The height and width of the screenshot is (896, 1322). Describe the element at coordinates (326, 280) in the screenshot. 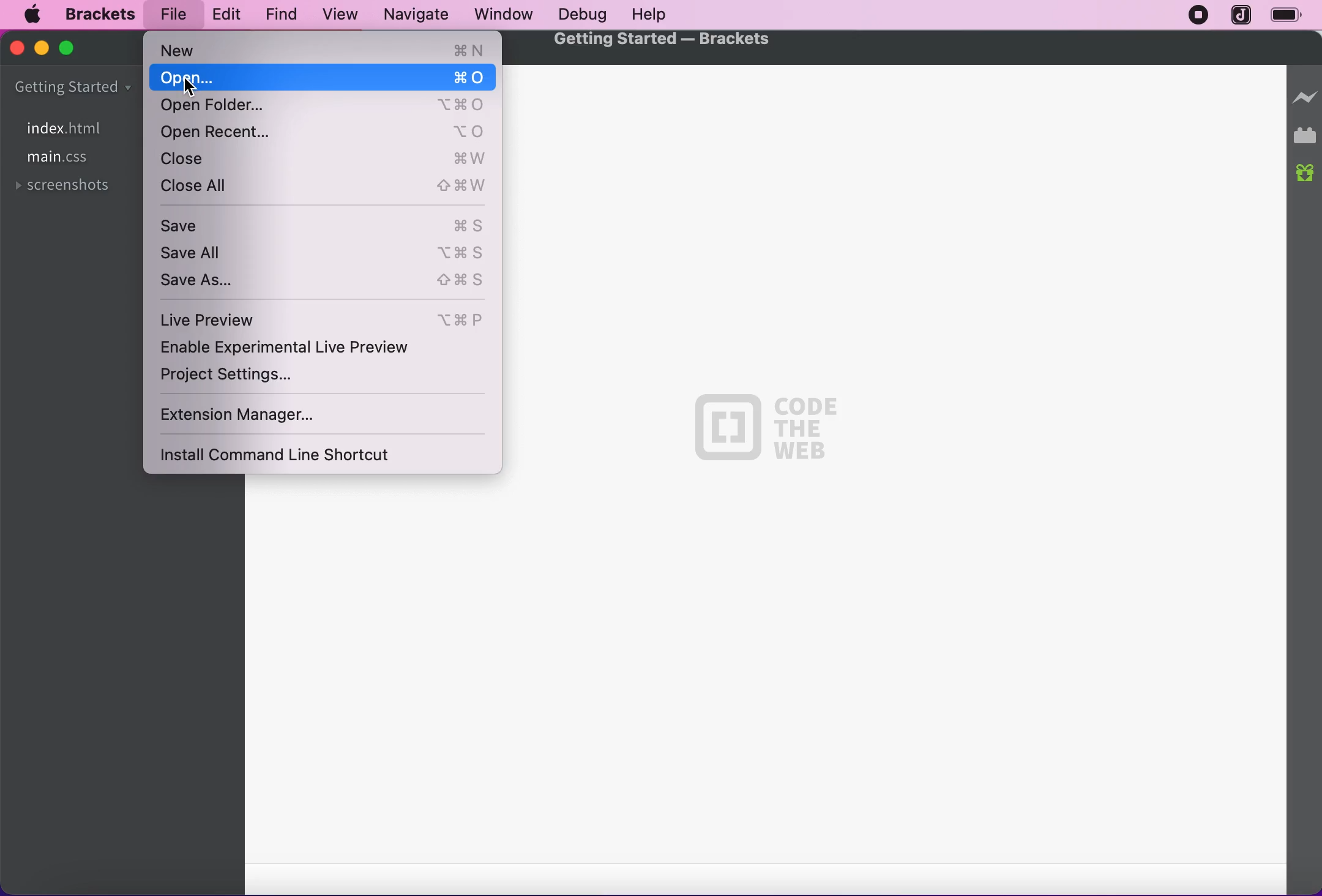

I see `save as` at that location.